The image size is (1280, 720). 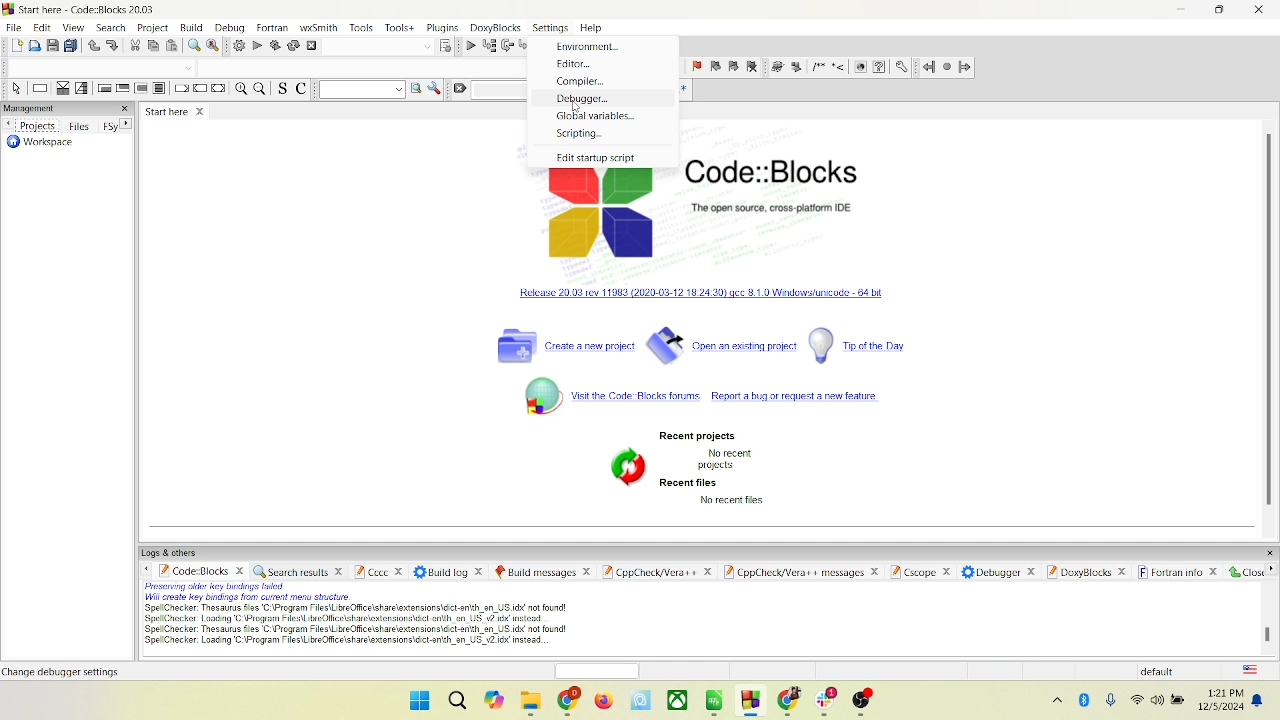 I want to click on search, so click(x=456, y=703).